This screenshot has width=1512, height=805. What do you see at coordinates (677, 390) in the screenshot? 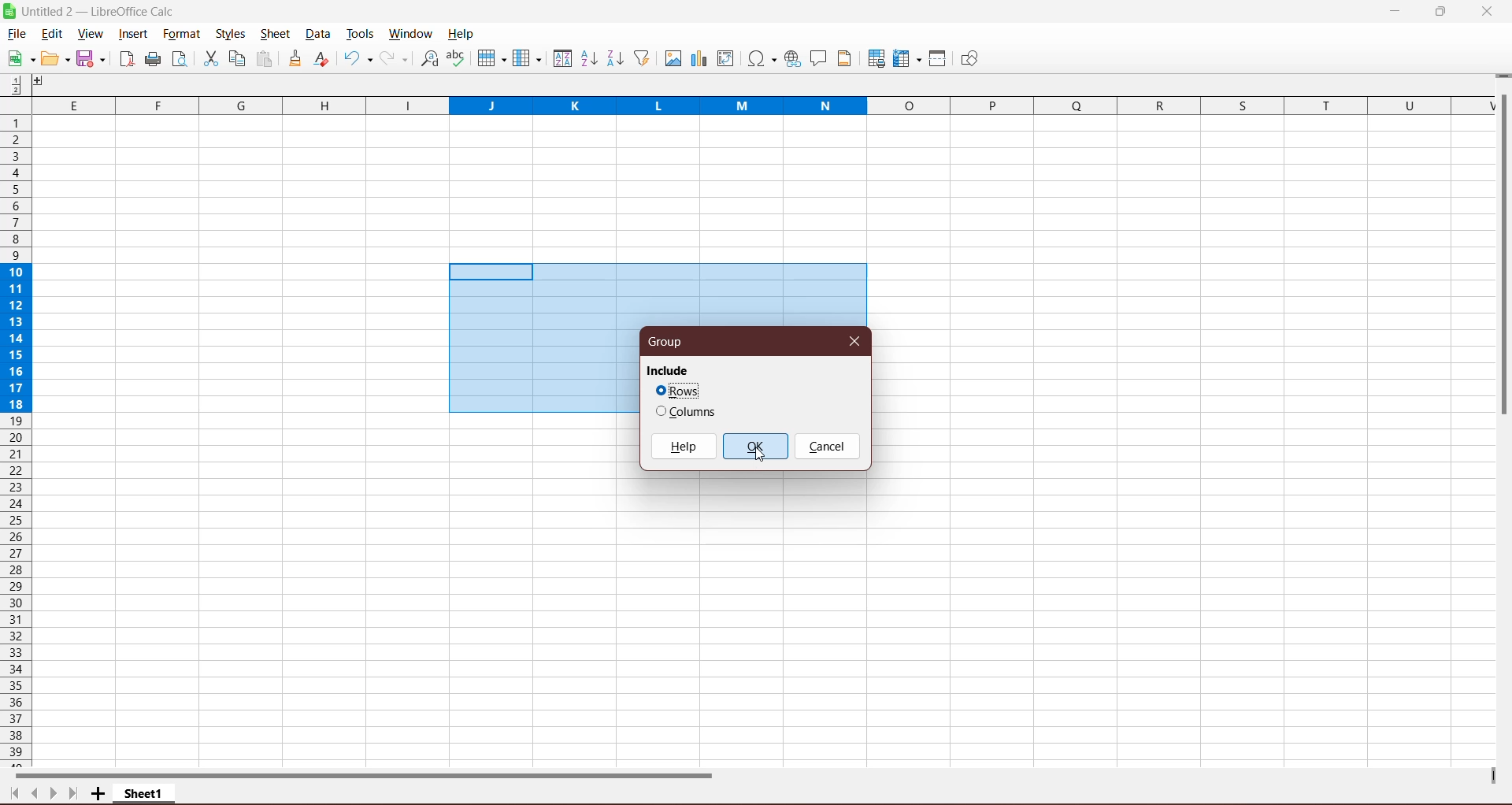
I see `Click to select Rows` at bounding box center [677, 390].